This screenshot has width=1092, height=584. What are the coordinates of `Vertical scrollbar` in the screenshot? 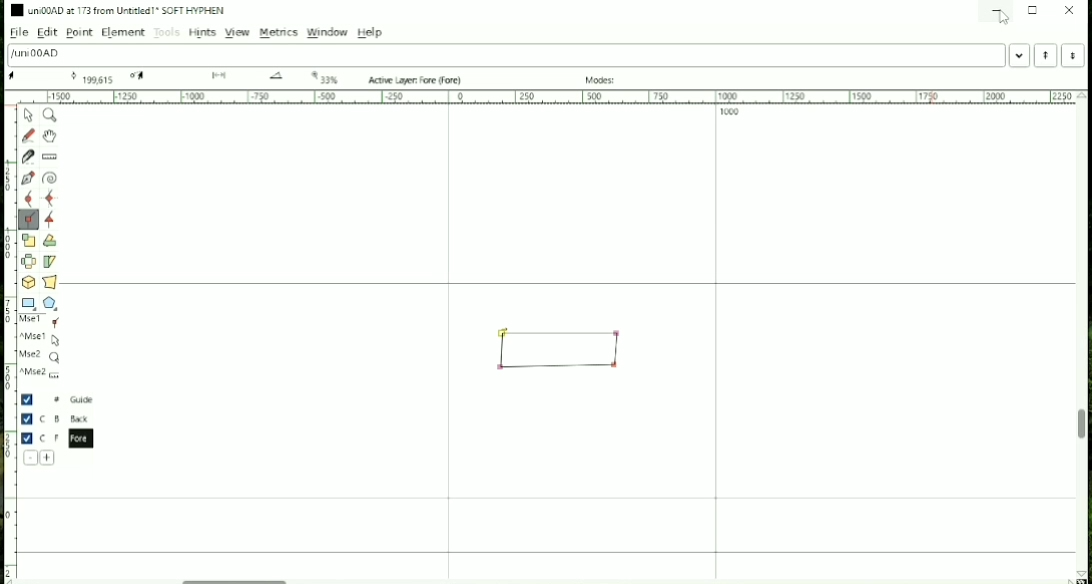 It's located at (1081, 426).